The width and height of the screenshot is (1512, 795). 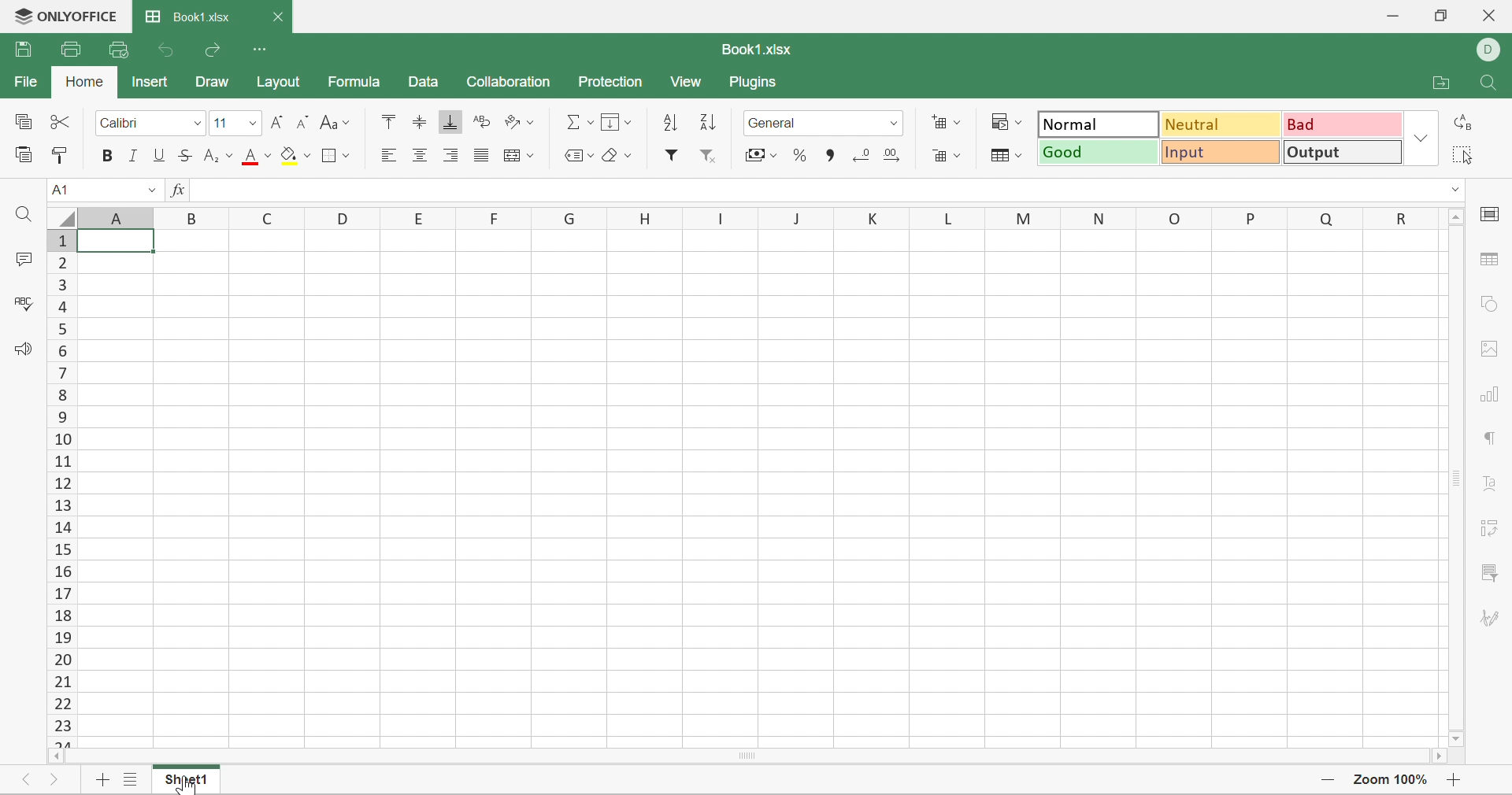 What do you see at coordinates (195, 216) in the screenshot?
I see `B` at bounding box center [195, 216].